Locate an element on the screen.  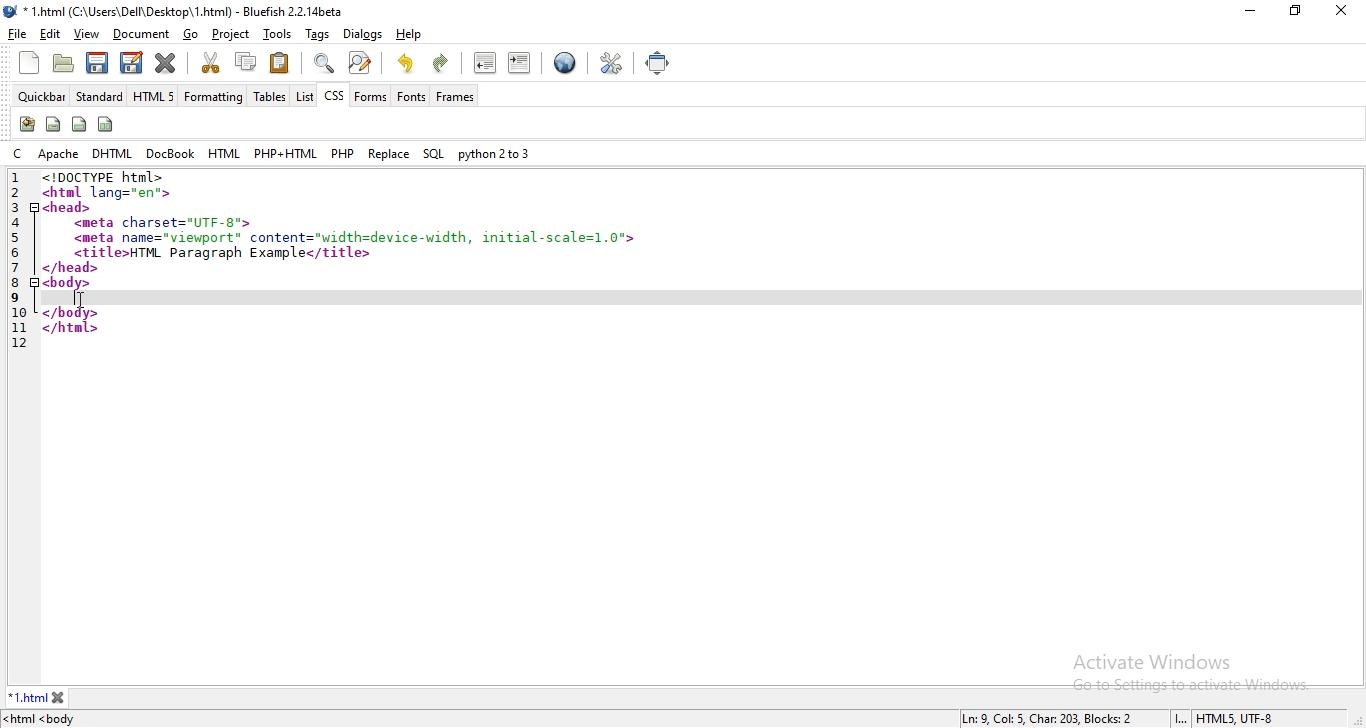
edit is located at coordinates (51, 33).